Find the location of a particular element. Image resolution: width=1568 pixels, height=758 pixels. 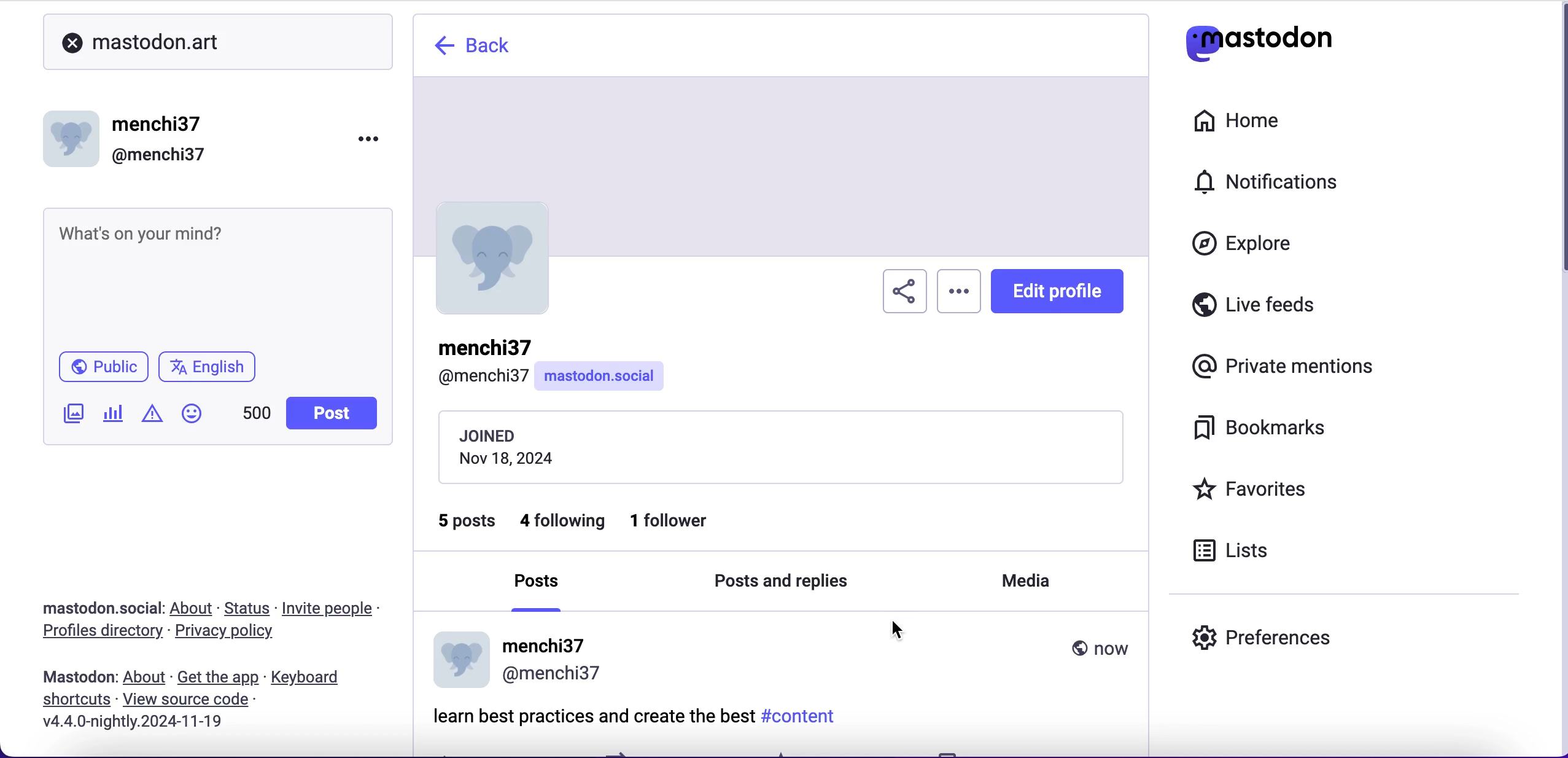

profiles directory is located at coordinates (98, 633).